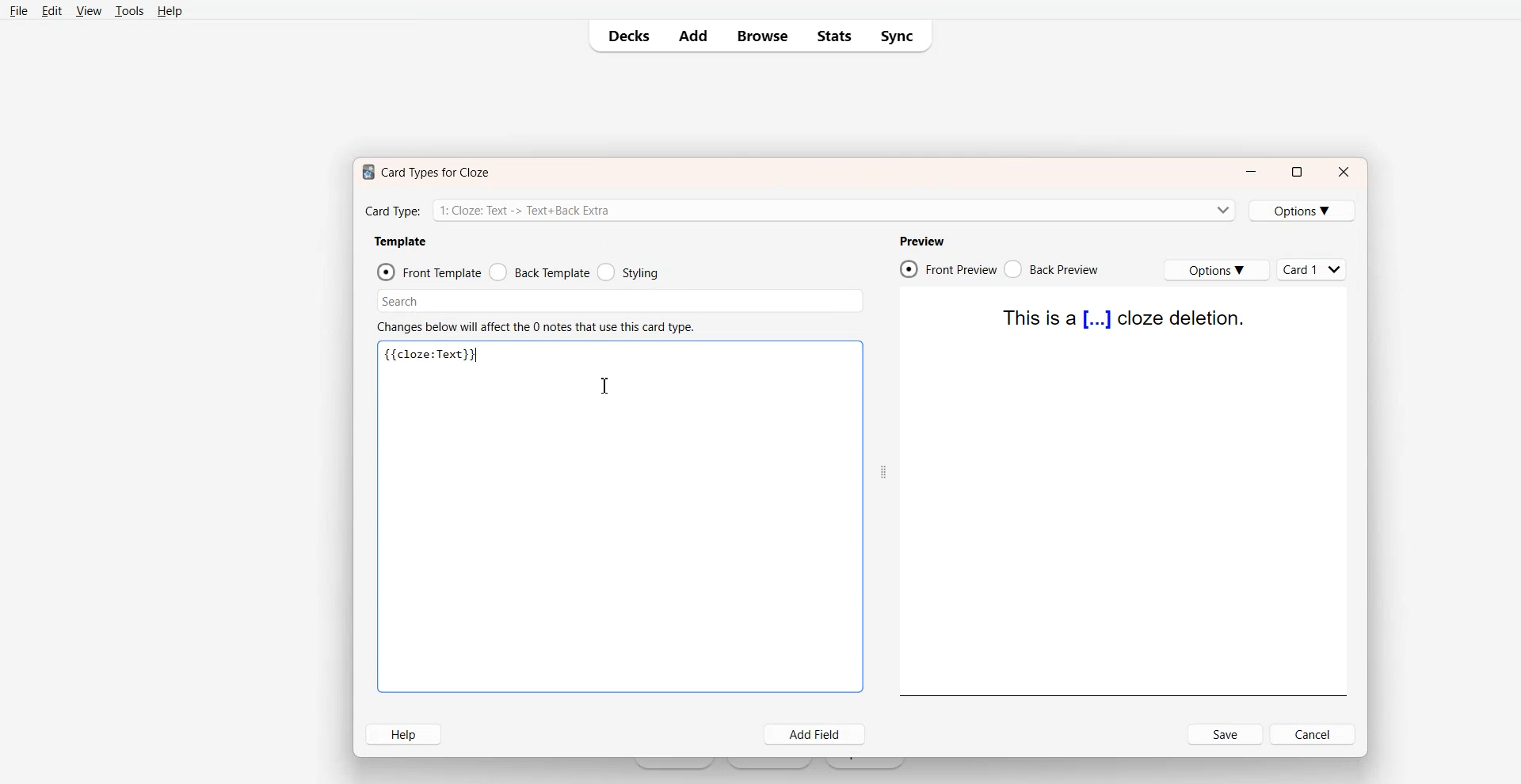  Describe the element at coordinates (19, 10) in the screenshot. I see `File` at that location.